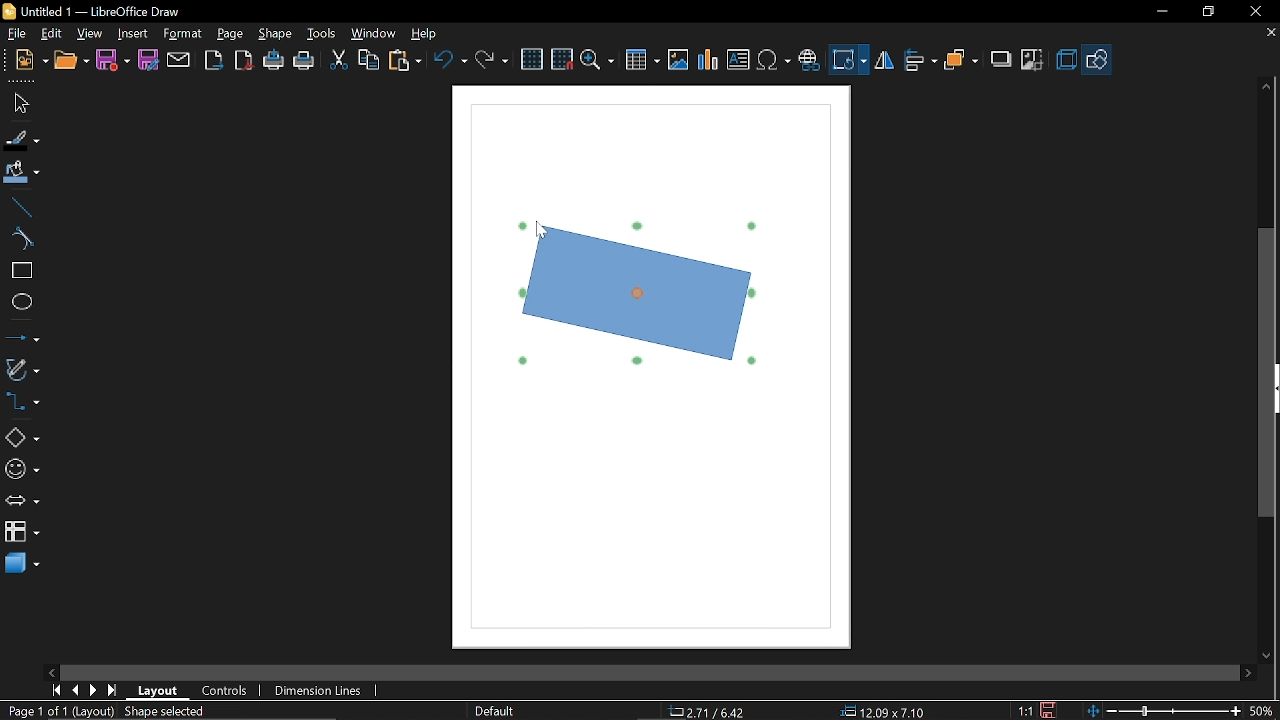 Image resolution: width=1280 pixels, height=720 pixels. Describe the element at coordinates (338, 61) in the screenshot. I see `Cut` at that location.